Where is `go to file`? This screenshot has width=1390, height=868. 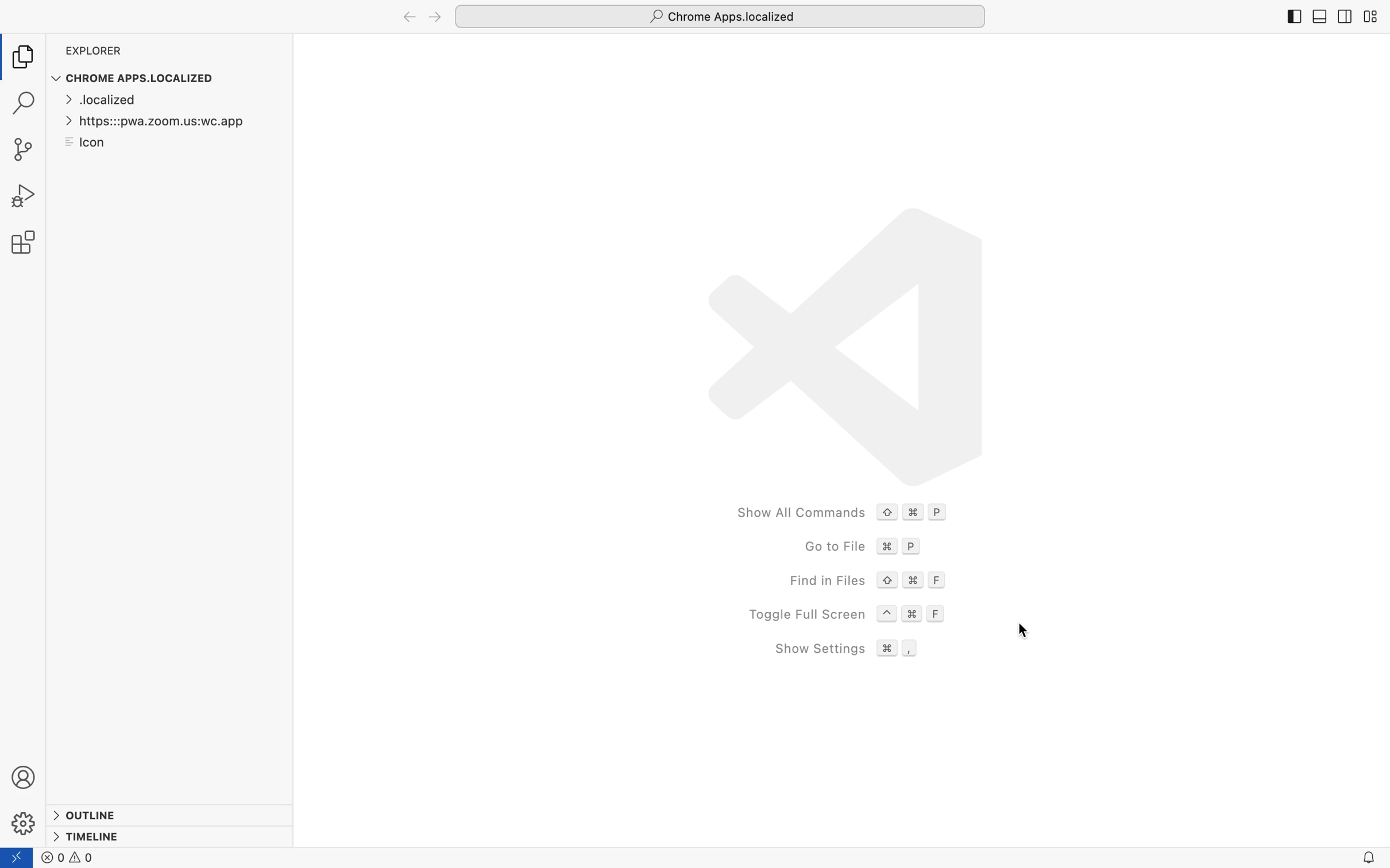 go to file is located at coordinates (864, 547).